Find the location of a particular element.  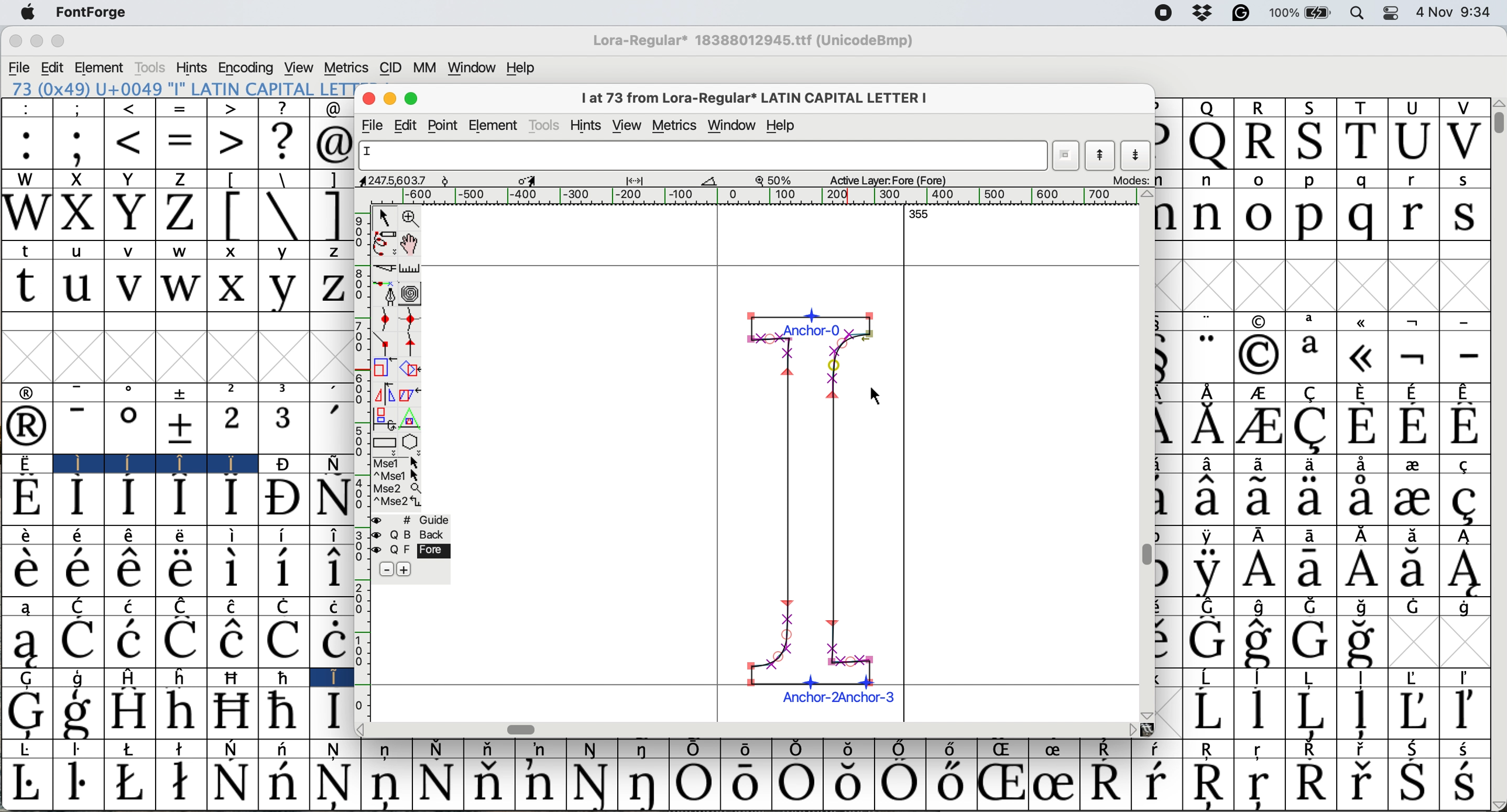

show next letter is located at coordinates (1138, 156).